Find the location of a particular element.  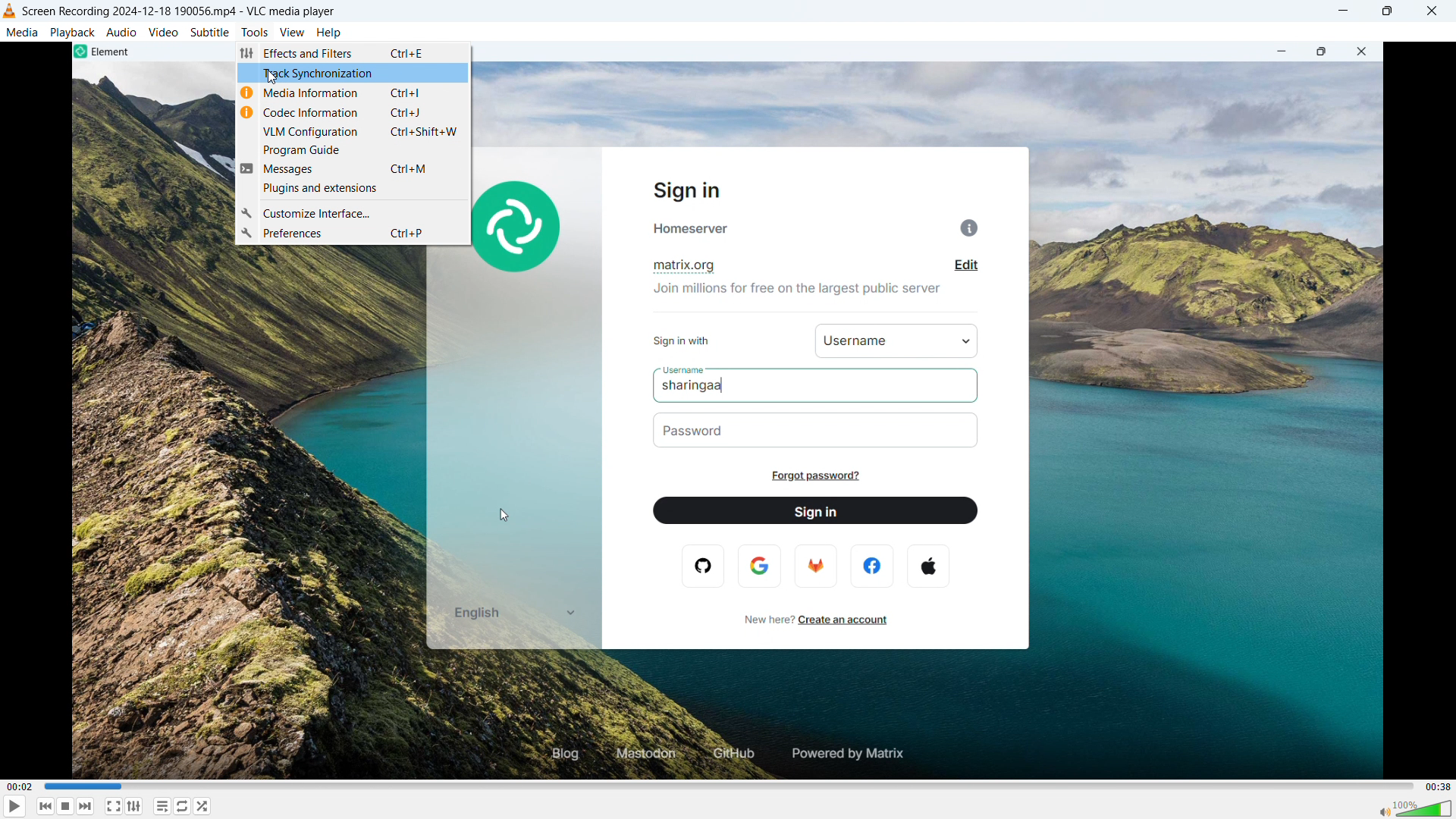

minimize is located at coordinates (1341, 10).